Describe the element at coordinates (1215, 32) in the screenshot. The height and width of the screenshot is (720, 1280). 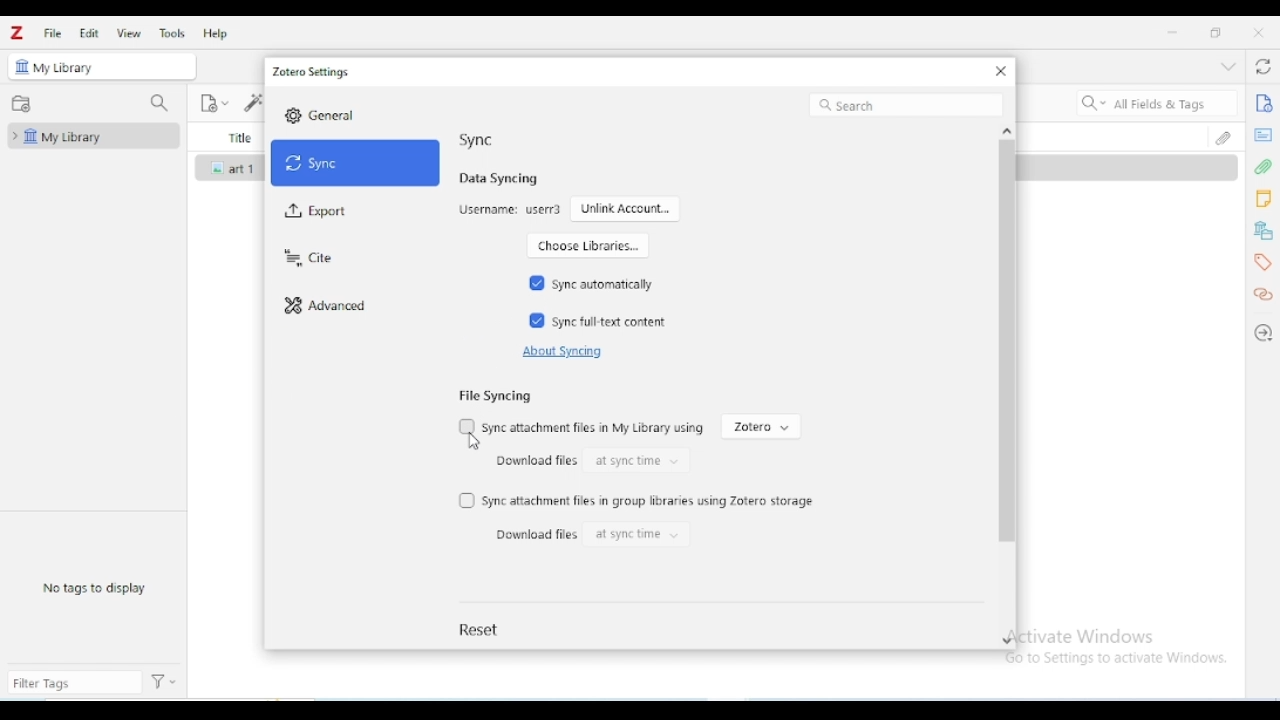
I see `maximize` at that location.